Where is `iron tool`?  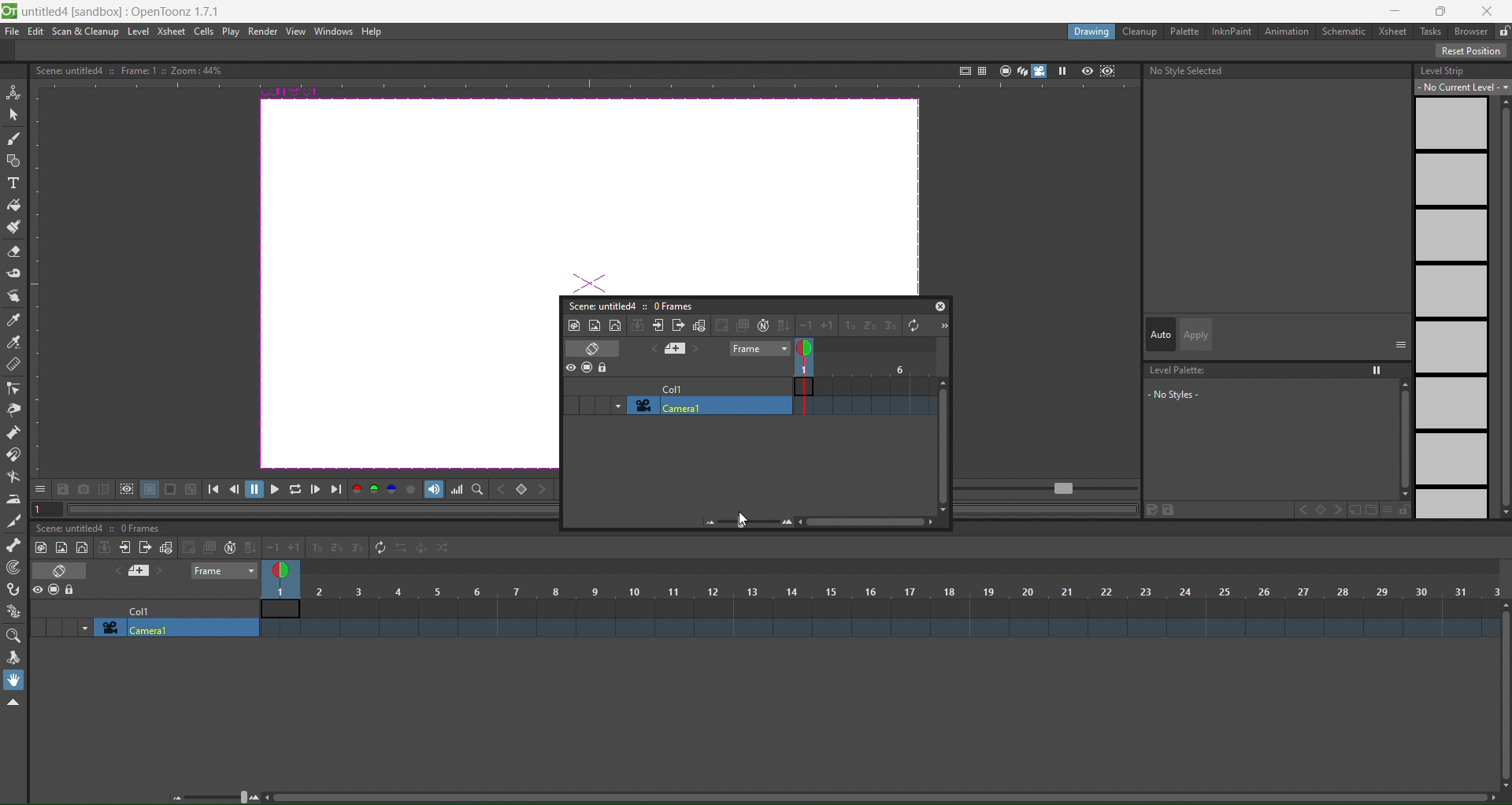 iron tool is located at coordinates (13, 499).